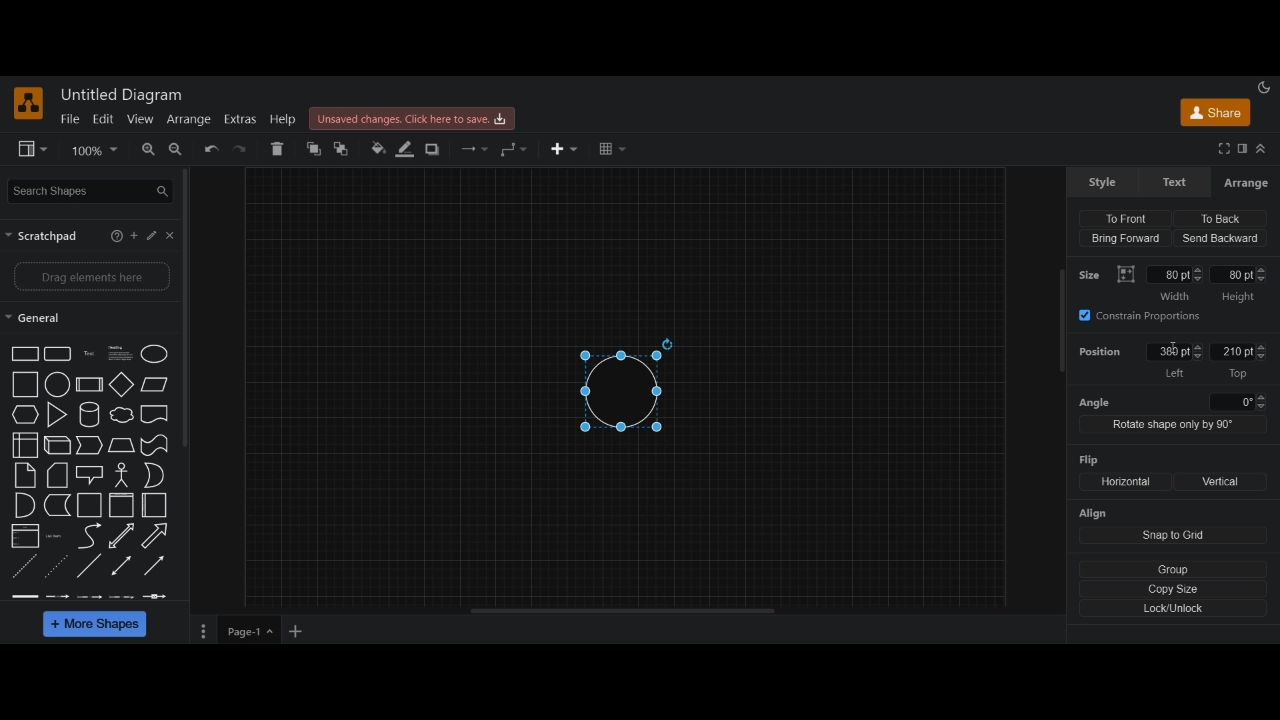  Describe the element at coordinates (156, 235) in the screenshot. I see `help` at that location.